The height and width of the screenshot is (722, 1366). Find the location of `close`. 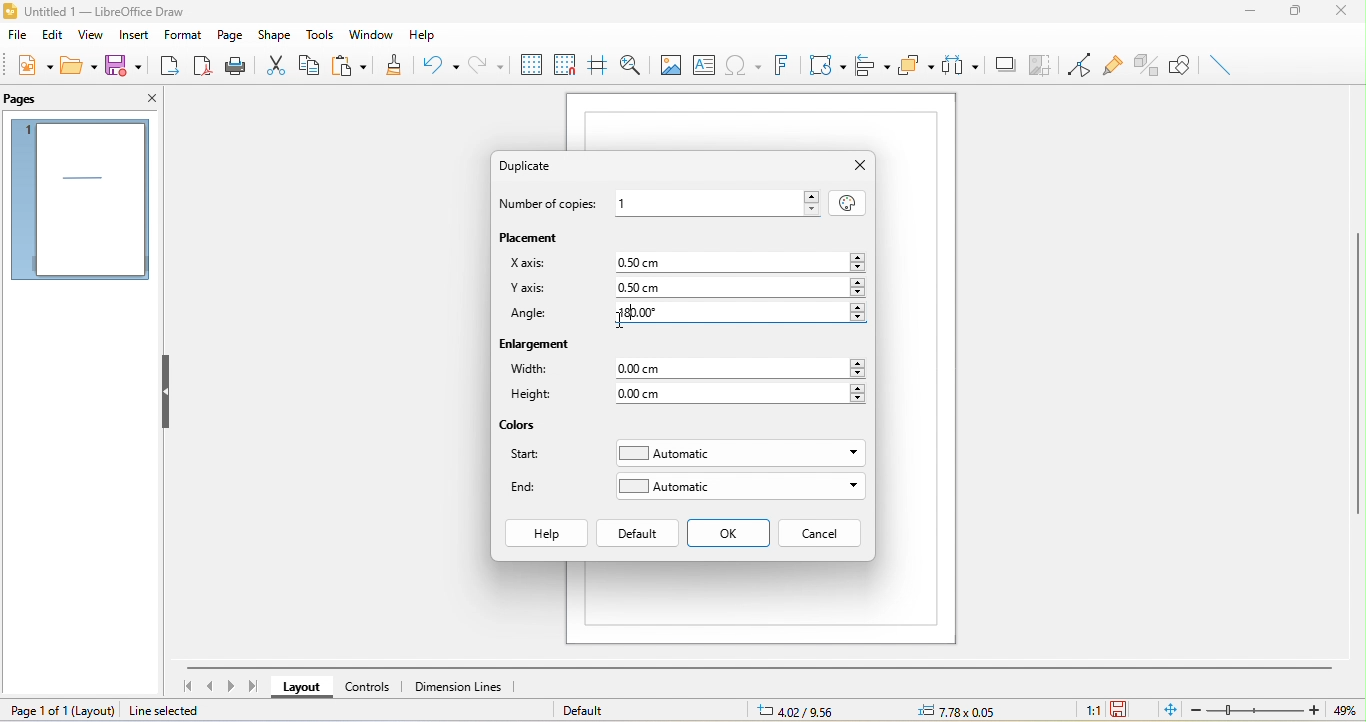

close is located at coordinates (148, 101).